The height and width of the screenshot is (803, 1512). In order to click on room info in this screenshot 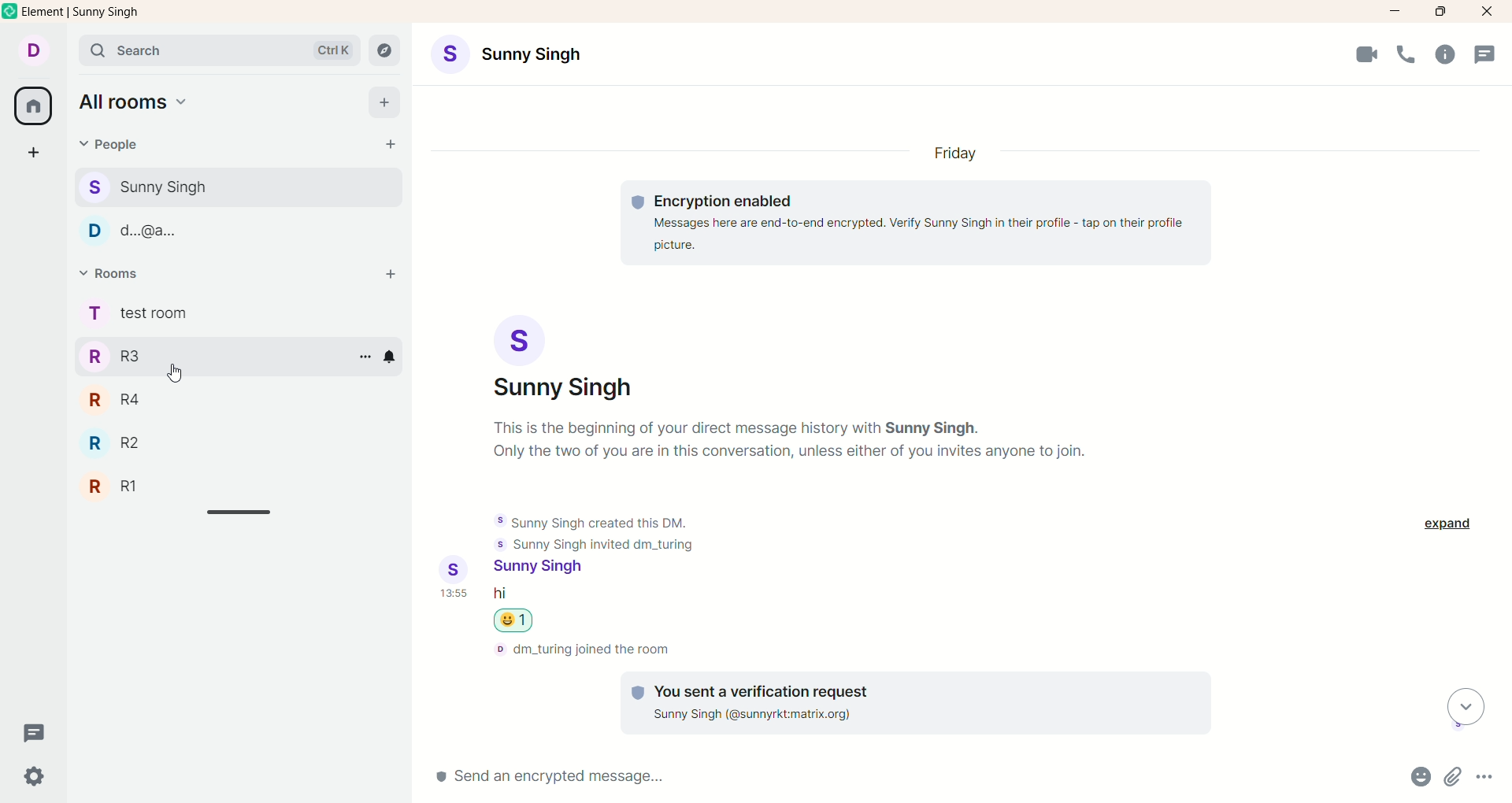, I will do `click(1449, 55)`.